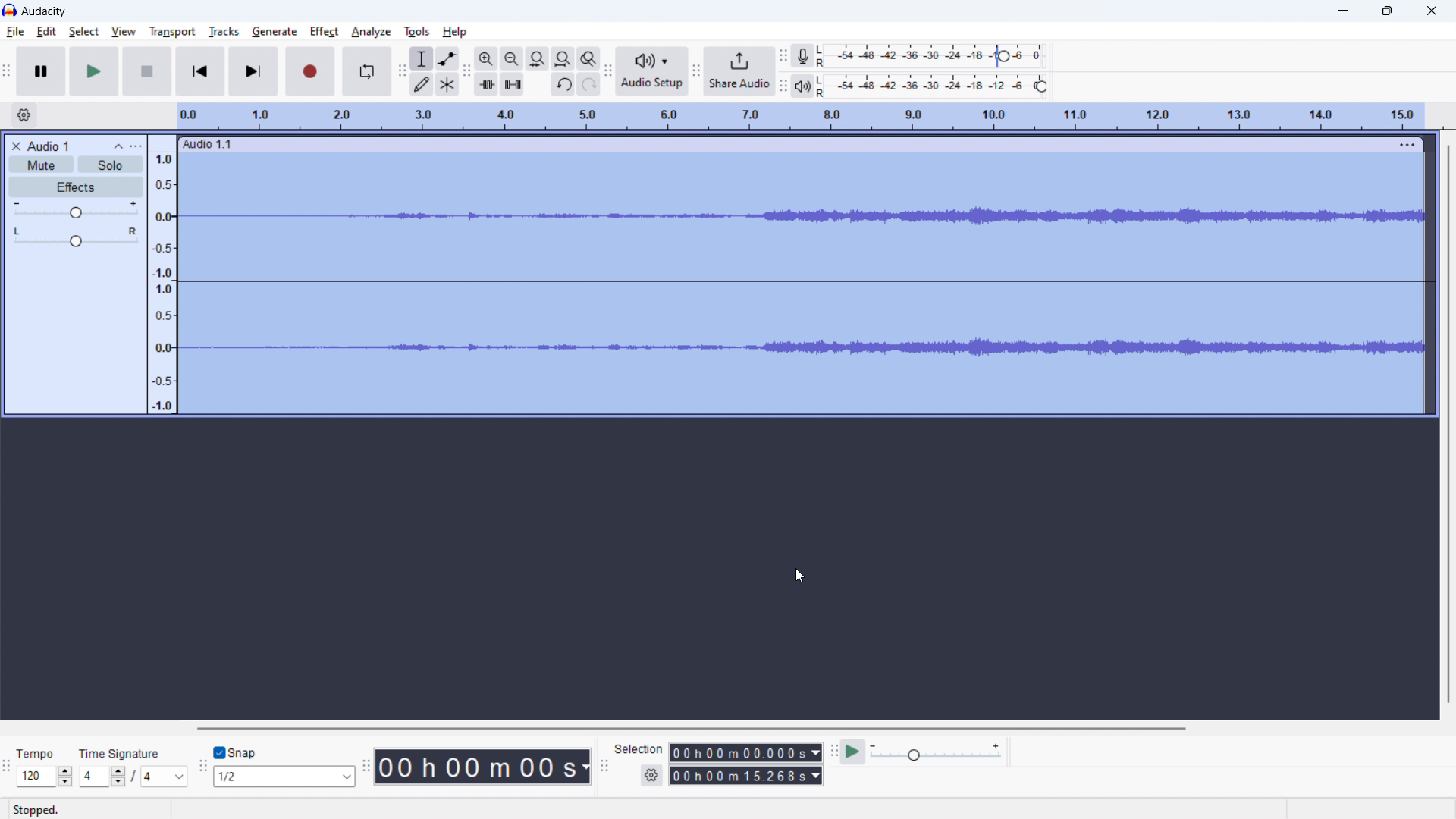 This screenshot has width=1456, height=819. I want to click on edit toolbar, so click(466, 71).